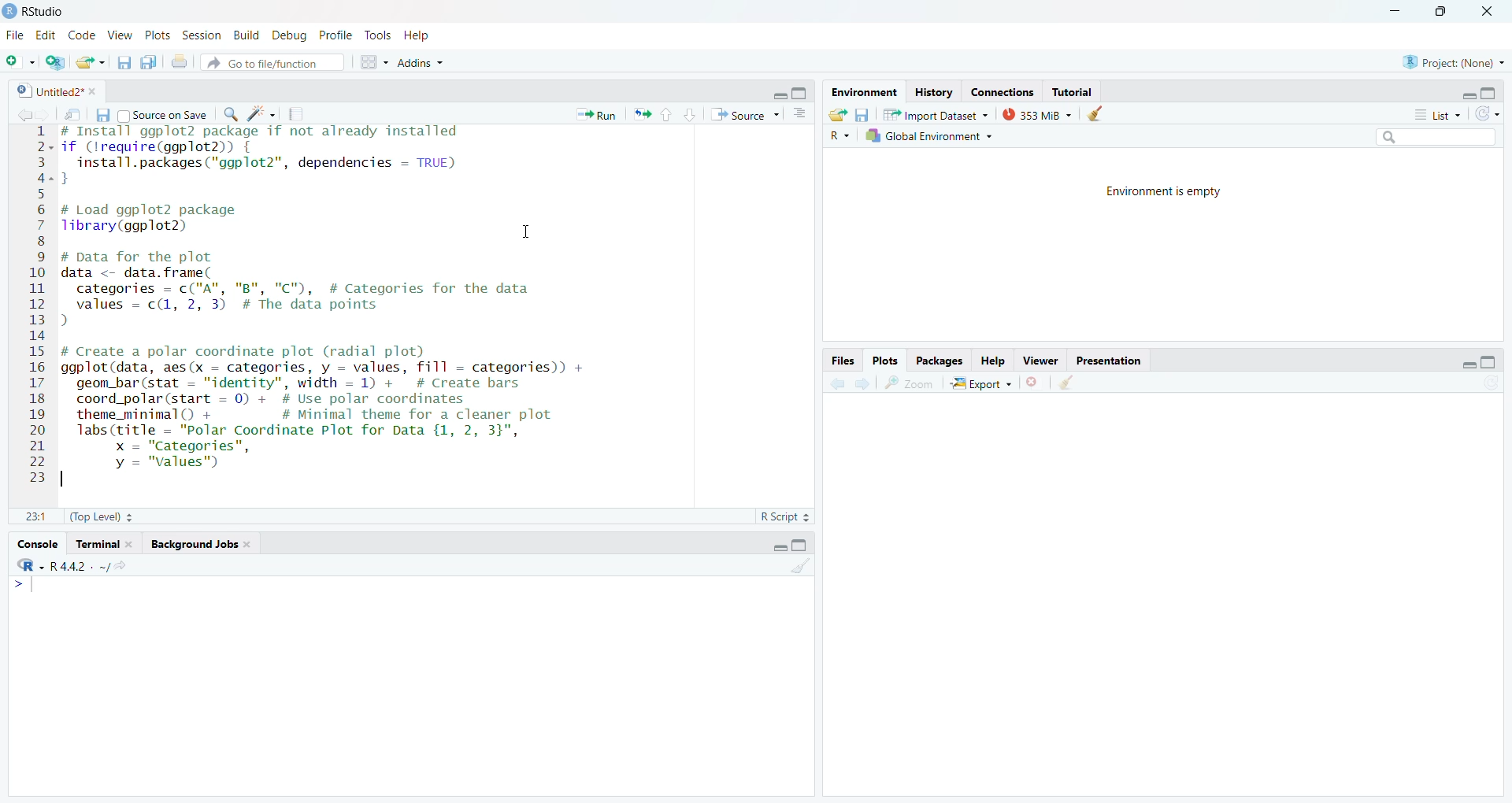 The image size is (1512, 803). Describe the element at coordinates (76, 568) in the screenshot. I see `‘R-R442. ~/` at that location.